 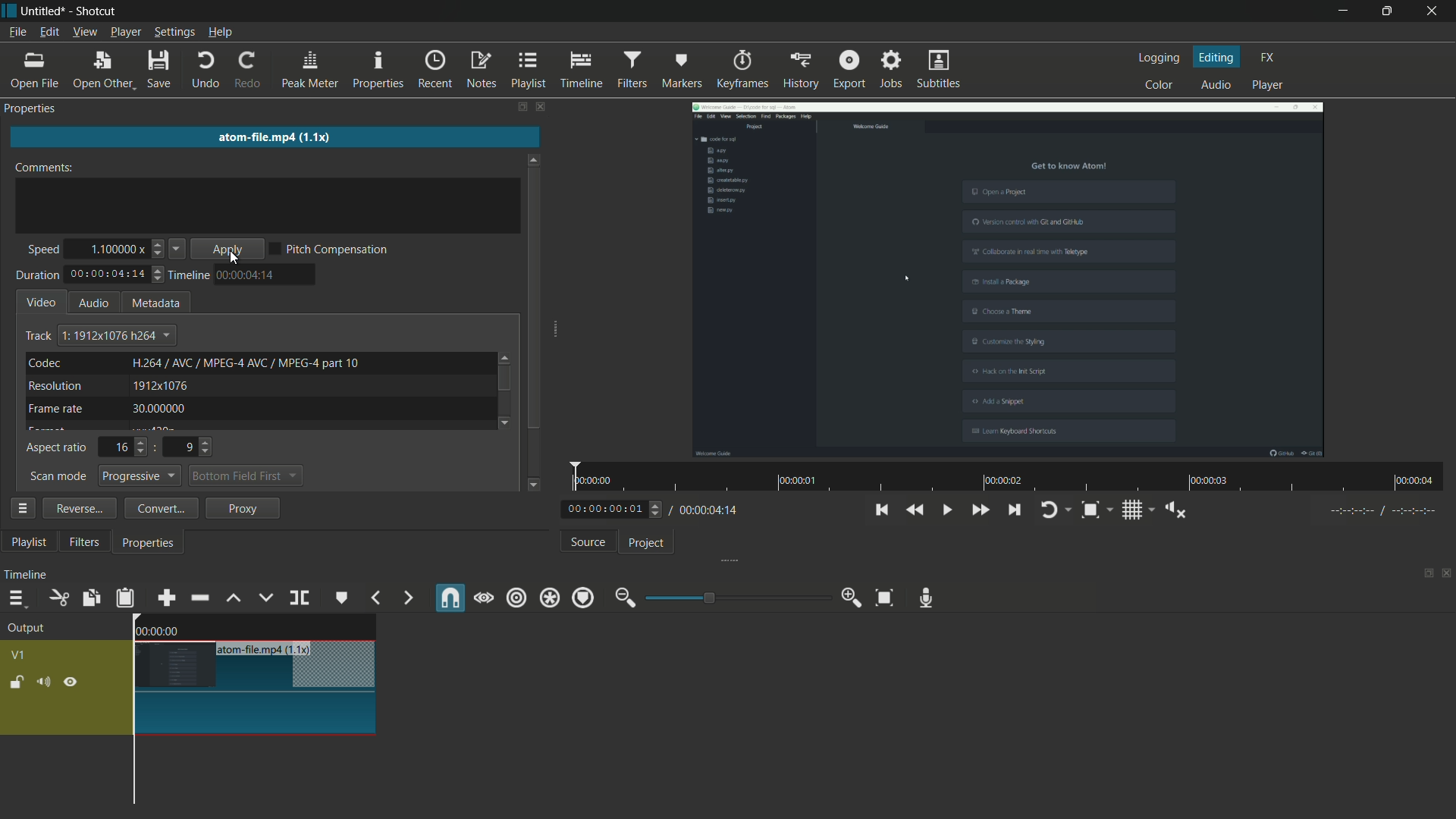 What do you see at coordinates (157, 304) in the screenshot?
I see `metadata` at bounding box center [157, 304].